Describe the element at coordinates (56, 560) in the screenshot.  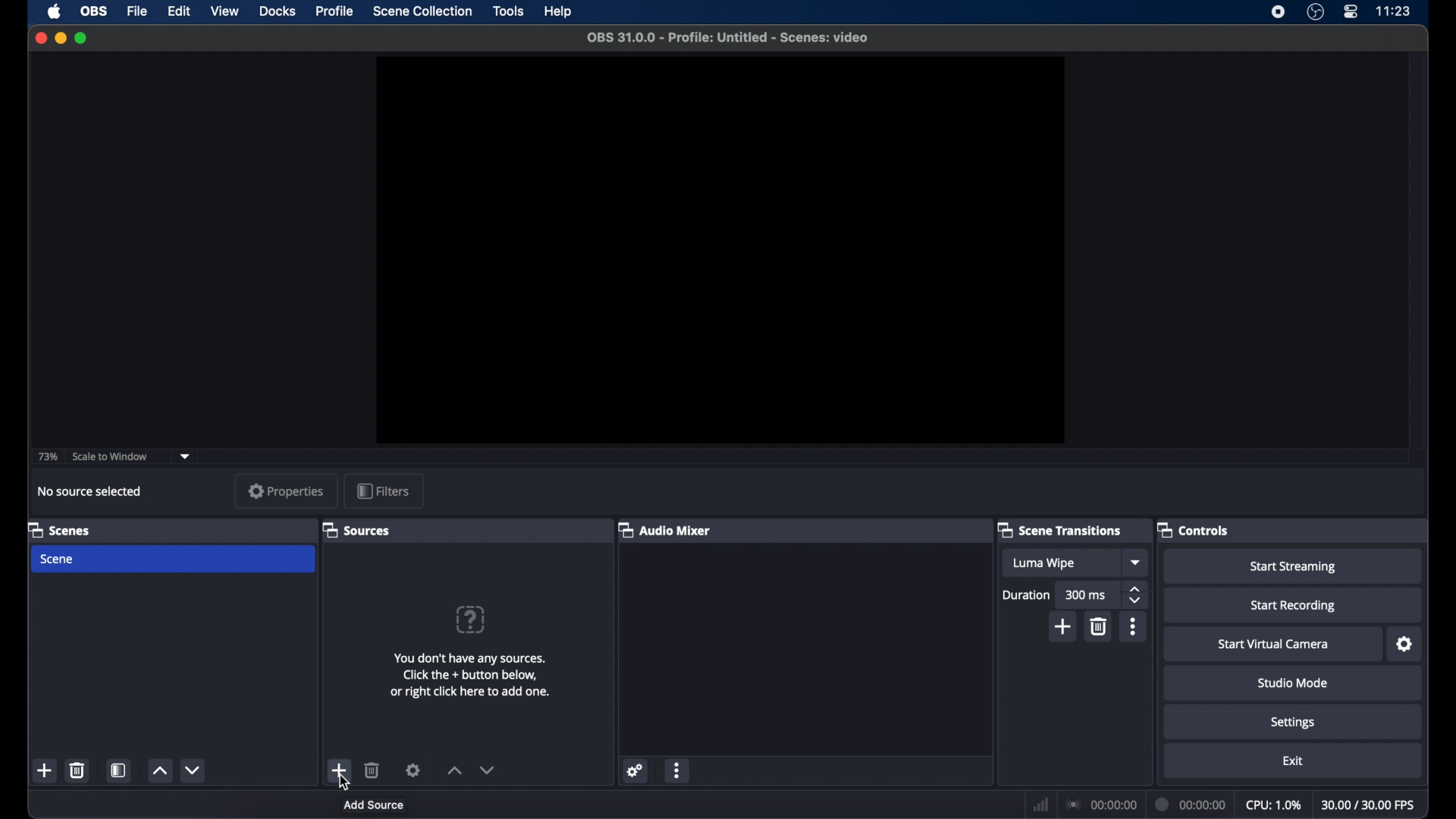
I see `scene` at that location.